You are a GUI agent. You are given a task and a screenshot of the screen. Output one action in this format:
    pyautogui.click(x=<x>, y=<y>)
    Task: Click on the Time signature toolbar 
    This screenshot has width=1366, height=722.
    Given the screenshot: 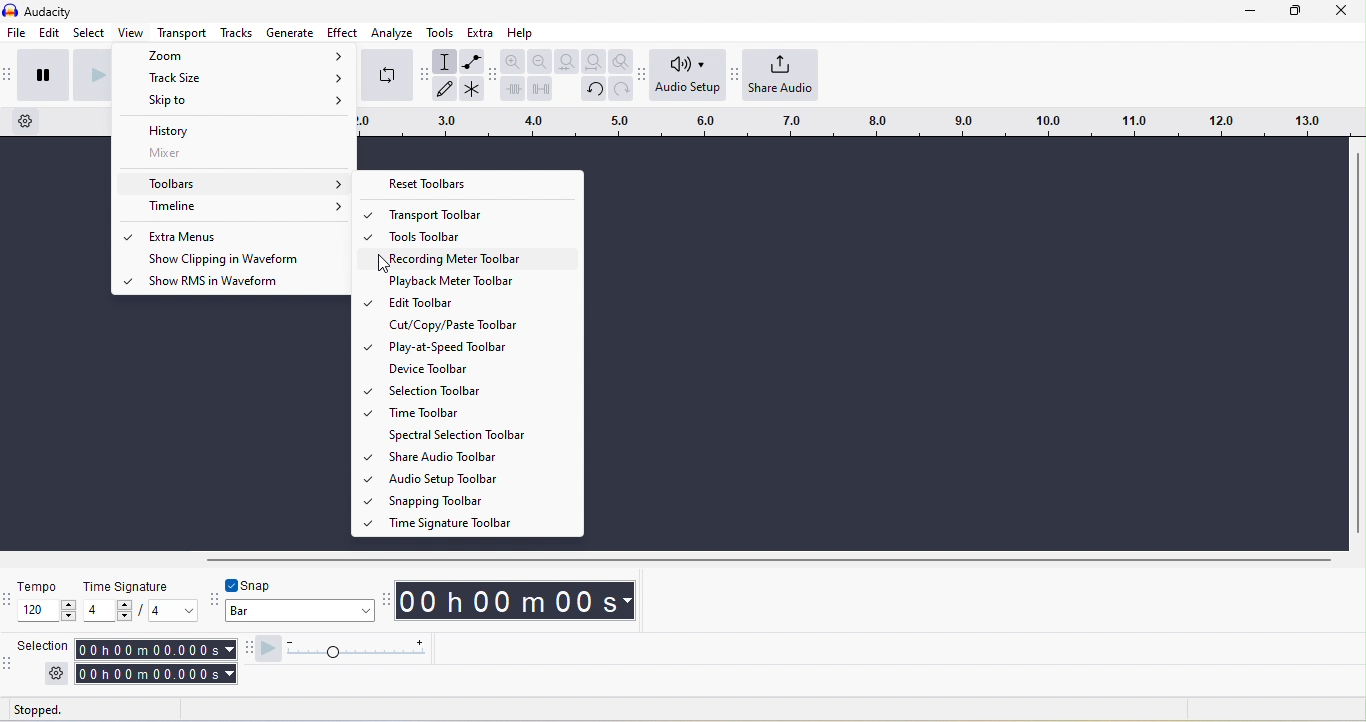 What is the action you would take?
    pyautogui.click(x=480, y=522)
    